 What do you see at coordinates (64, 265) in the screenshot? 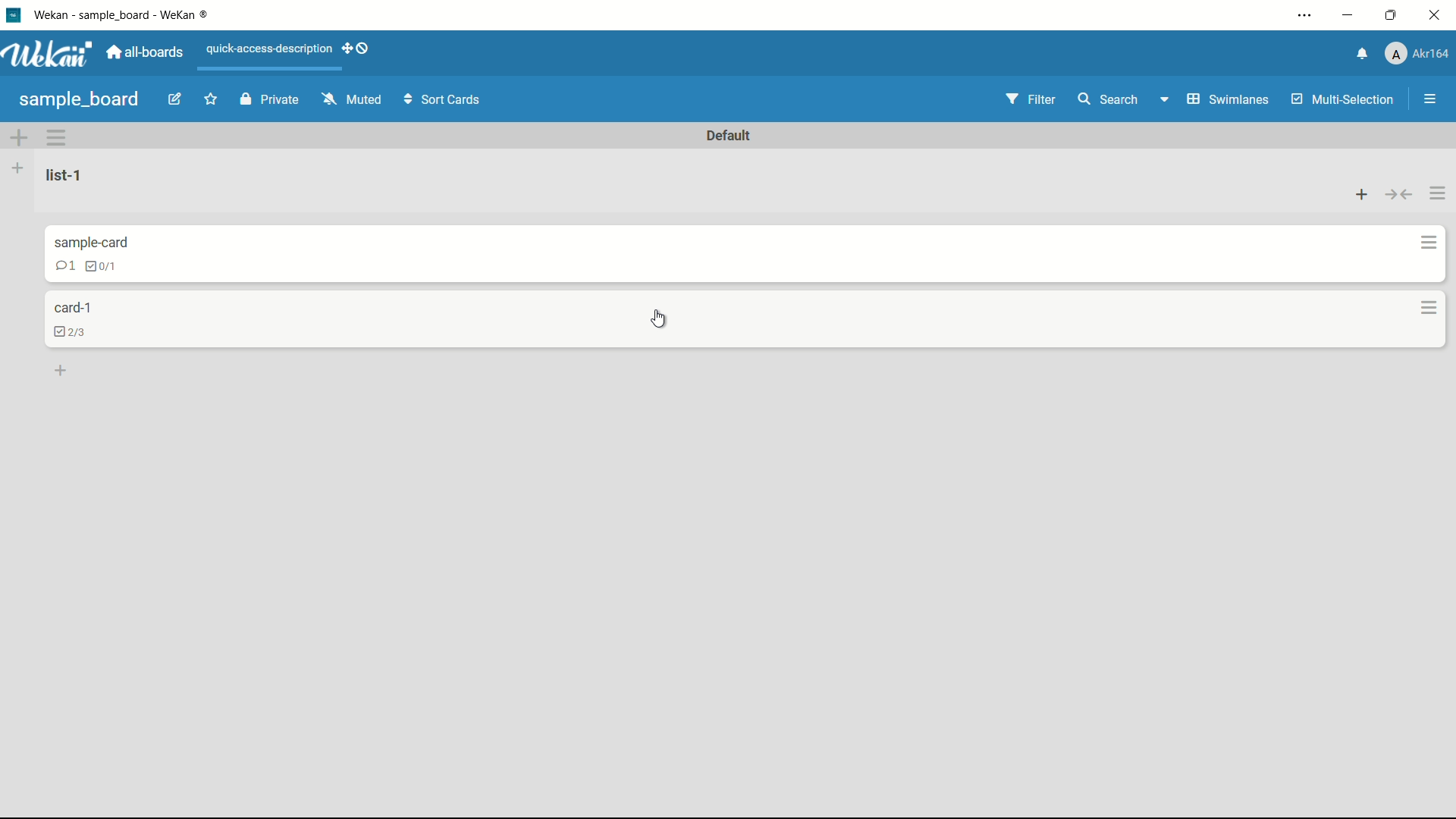
I see `1 comment` at bounding box center [64, 265].